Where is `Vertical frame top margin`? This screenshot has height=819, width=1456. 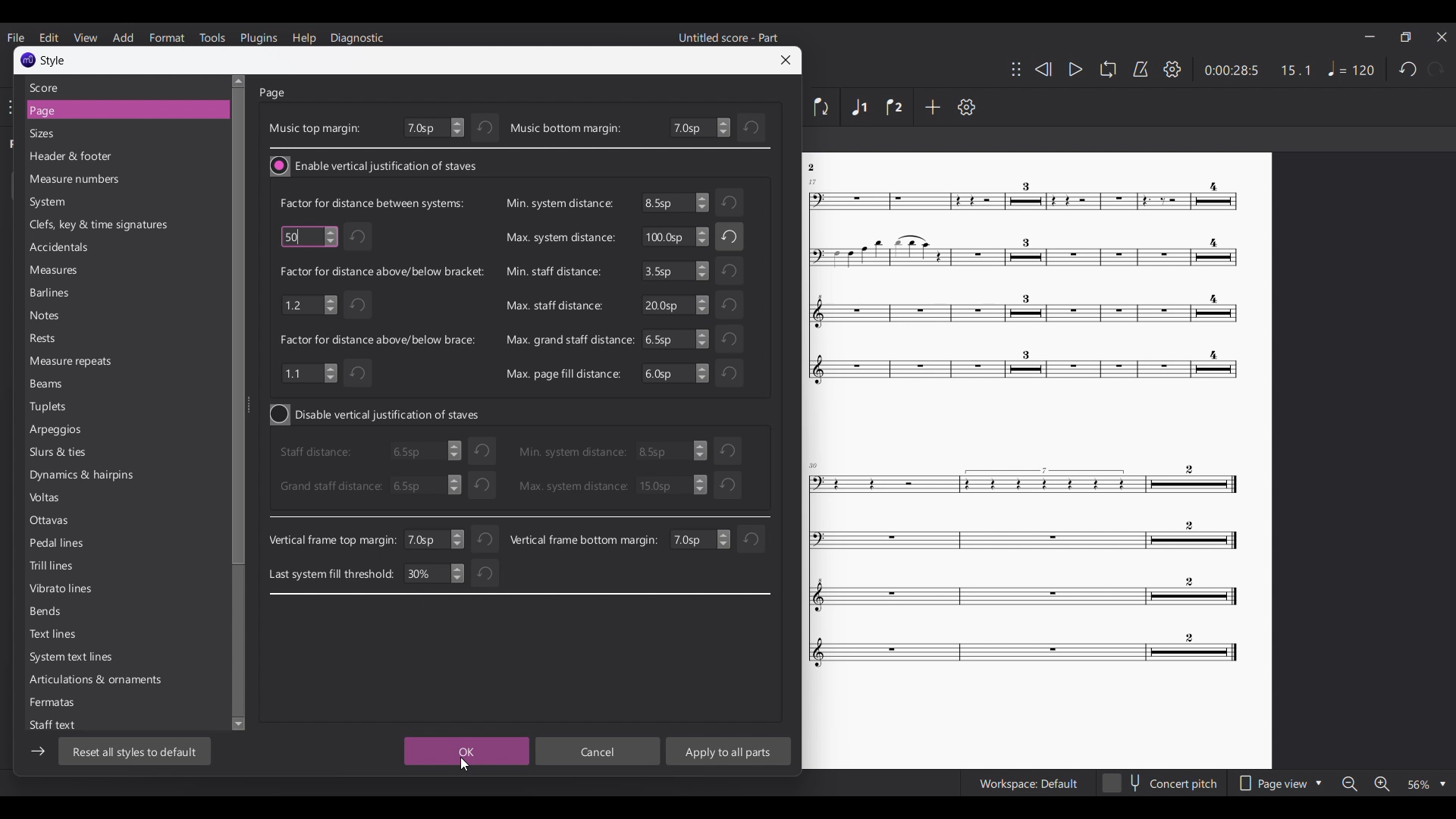 Vertical frame top margin is located at coordinates (332, 541).